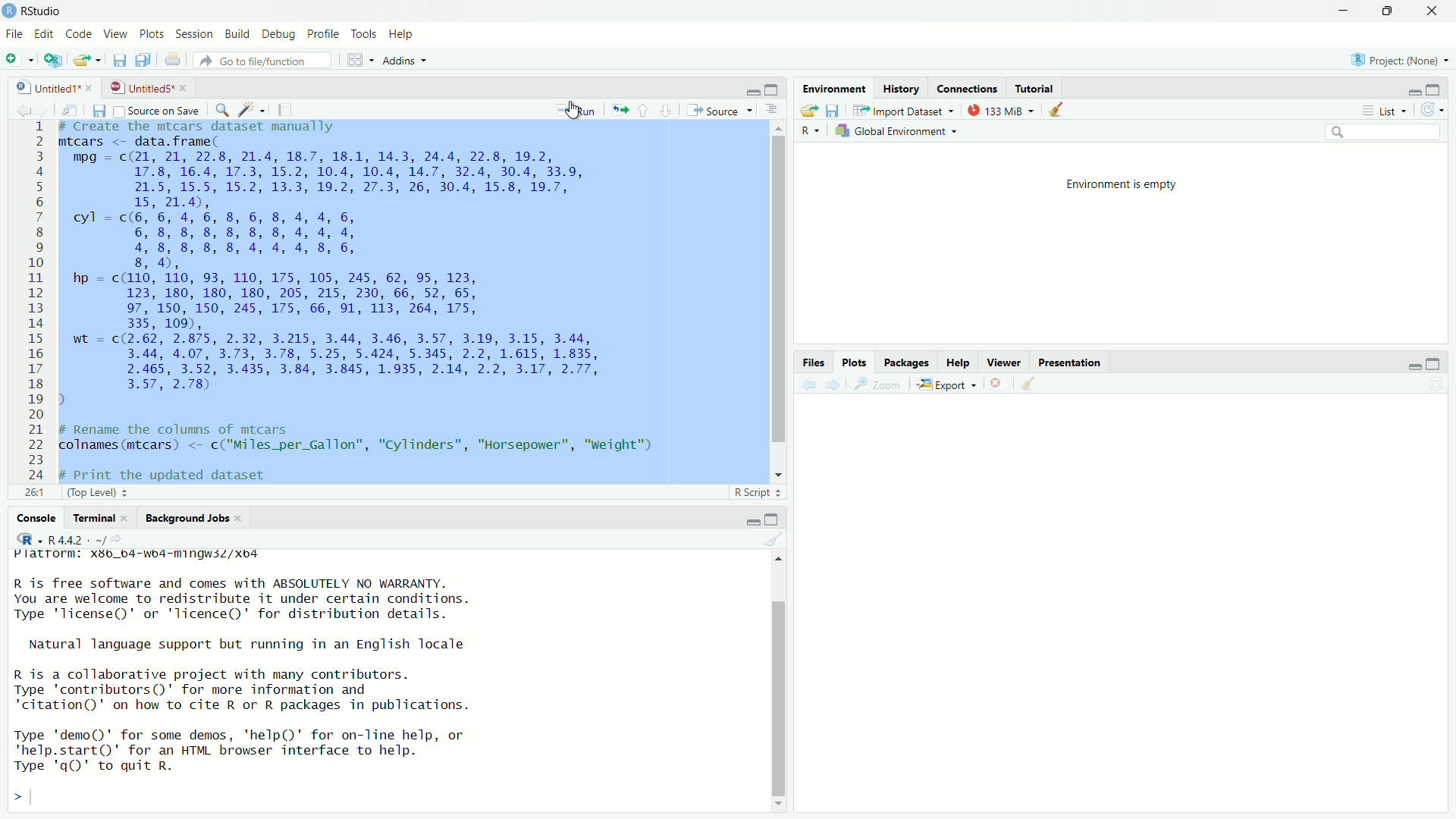  I want to click on Run, so click(577, 111).